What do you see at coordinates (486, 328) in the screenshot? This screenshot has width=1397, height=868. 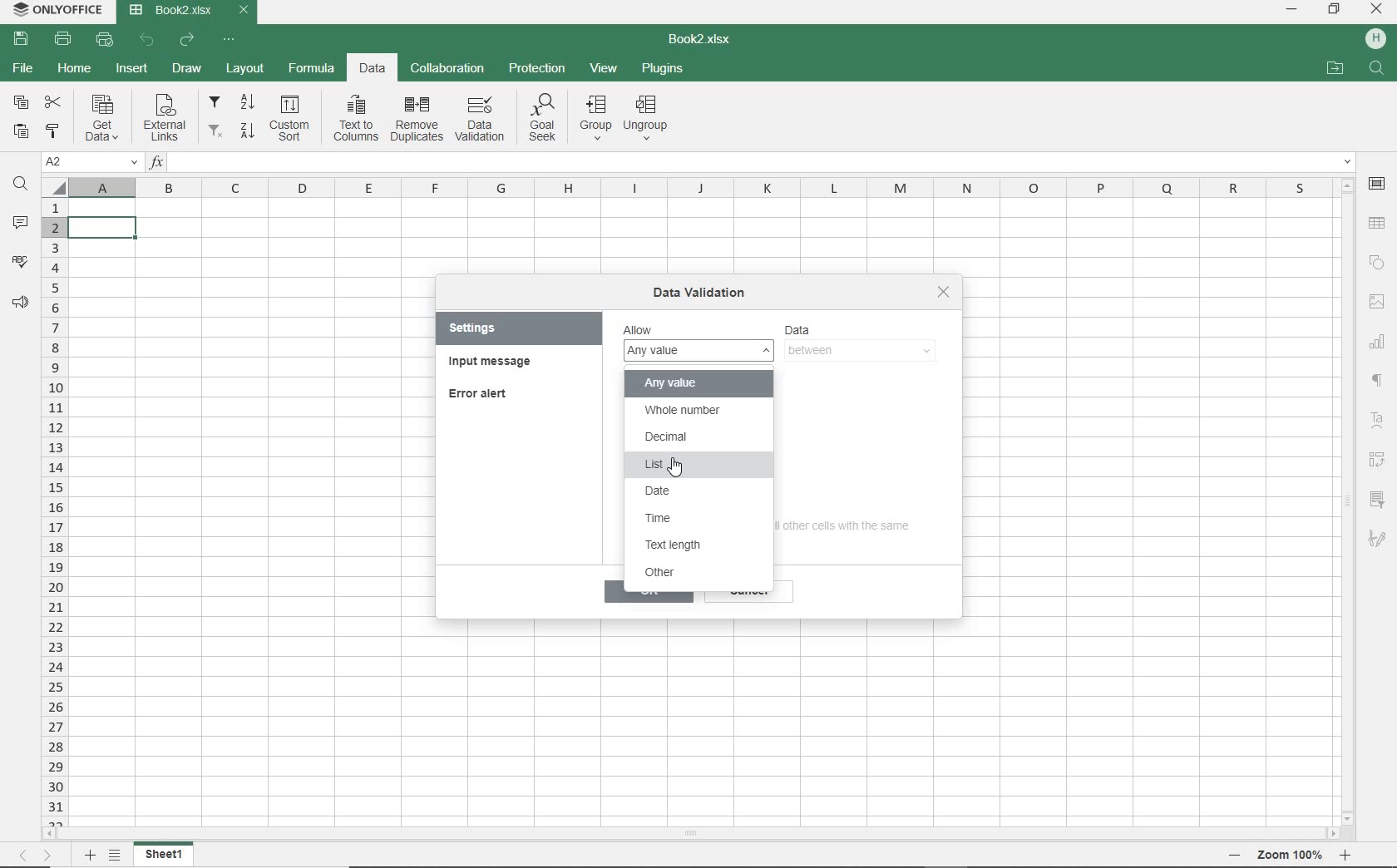 I see `settings` at bounding box center [486, 328].